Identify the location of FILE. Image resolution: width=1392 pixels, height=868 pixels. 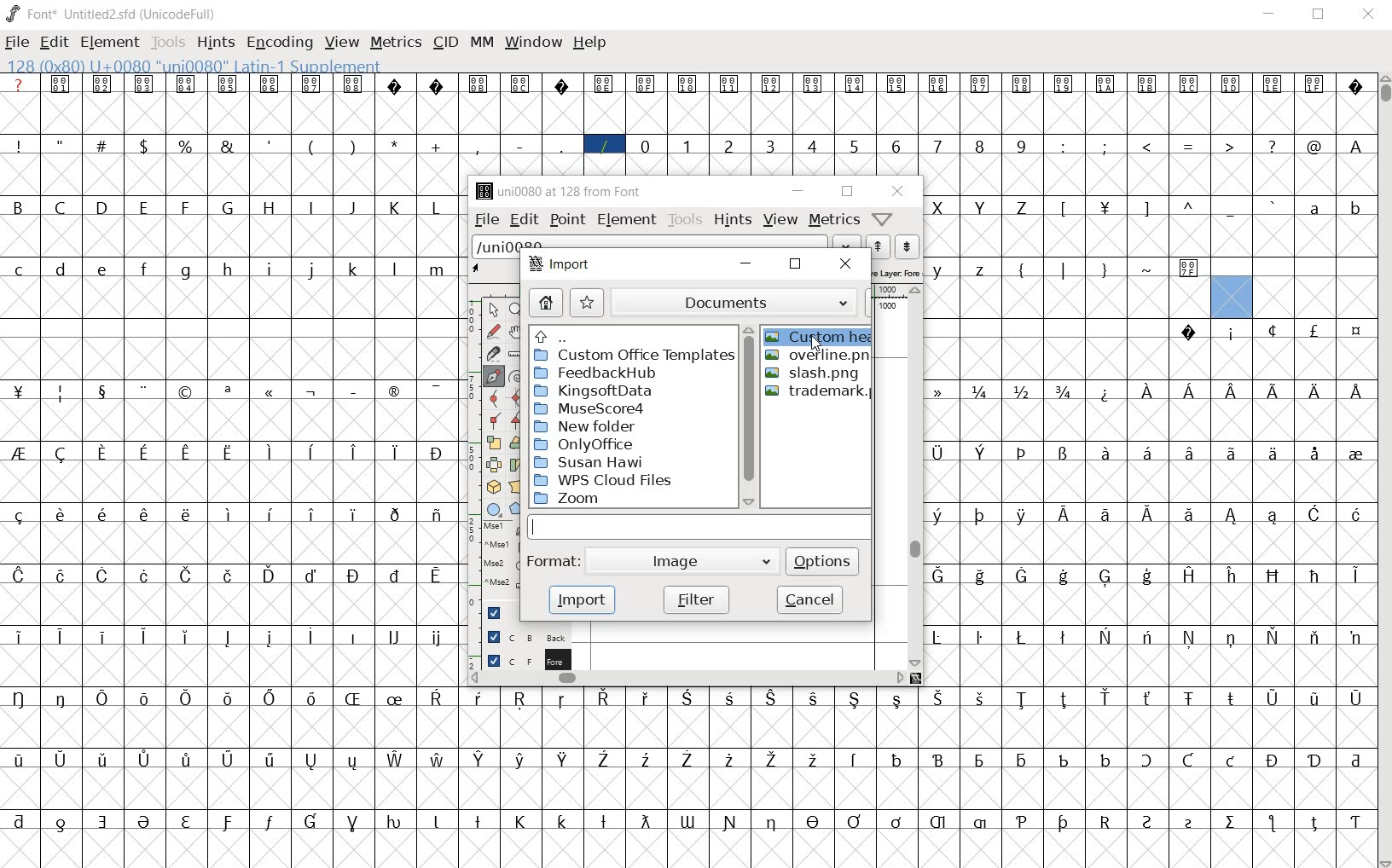
(18, 42).